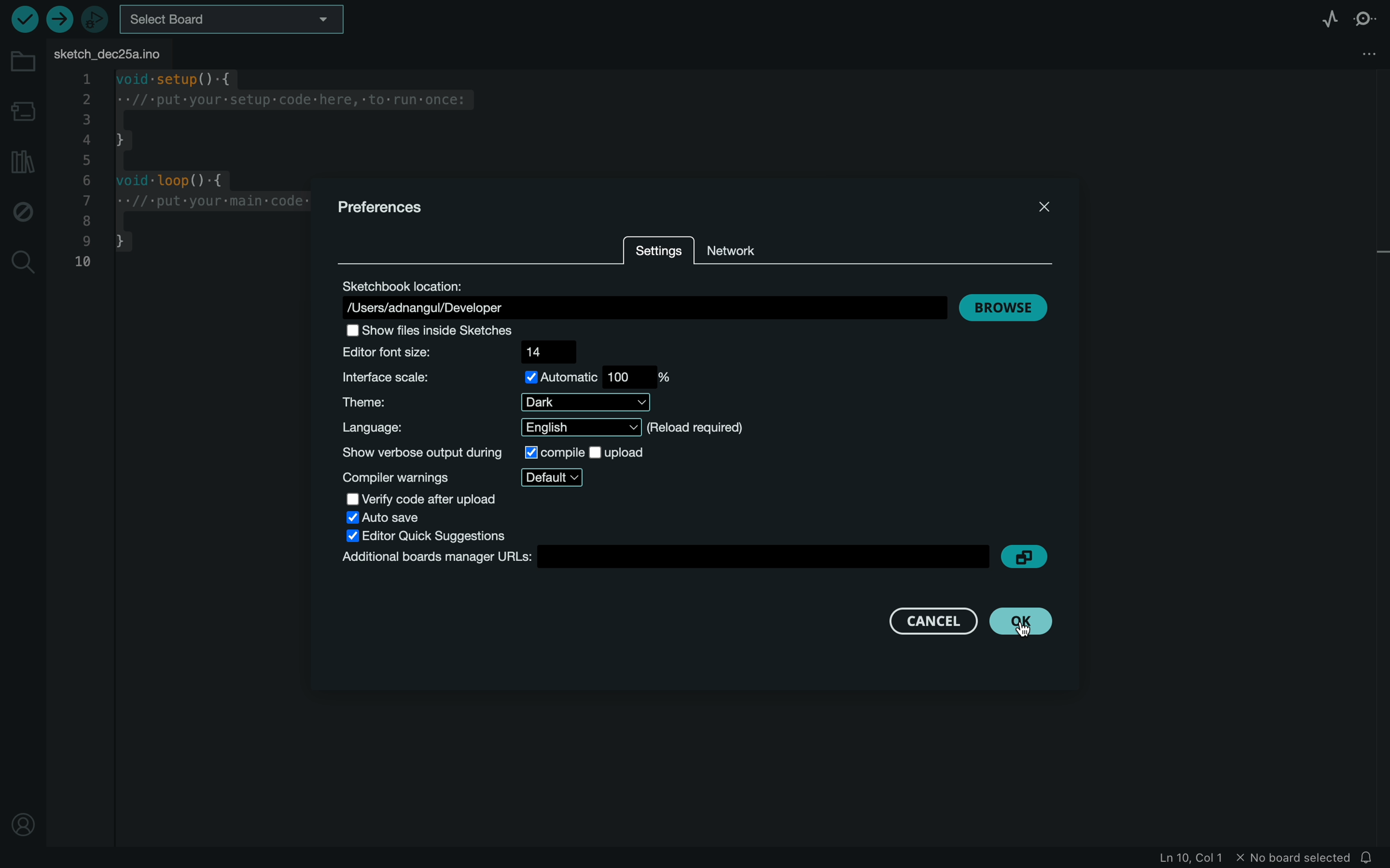  What do you see at coordinates (543, 429) in the screenshot?
I see `language` at bounding box center [543, 429].